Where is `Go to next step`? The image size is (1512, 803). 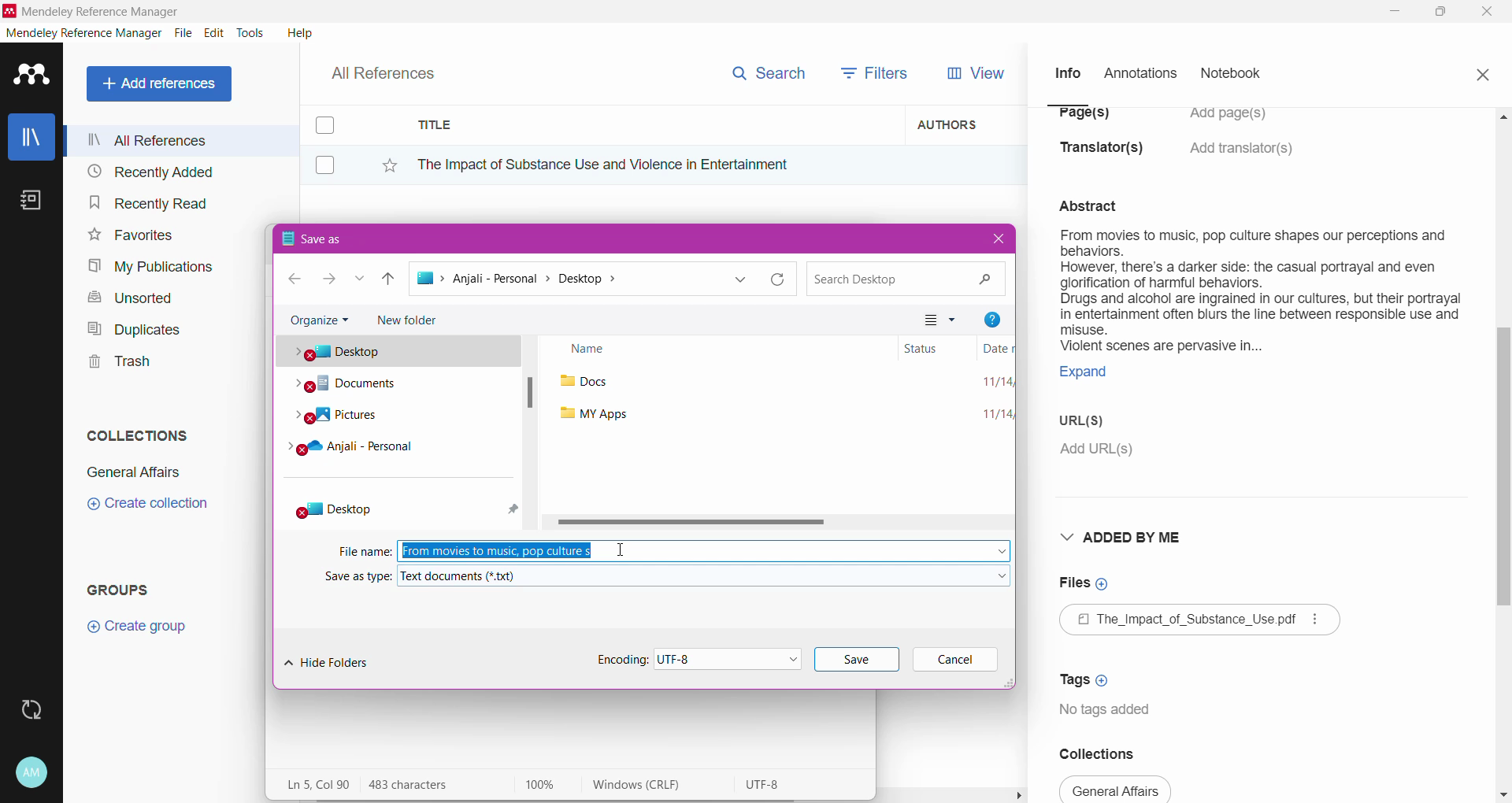 Go to next step is located at coordinates (328, 280).